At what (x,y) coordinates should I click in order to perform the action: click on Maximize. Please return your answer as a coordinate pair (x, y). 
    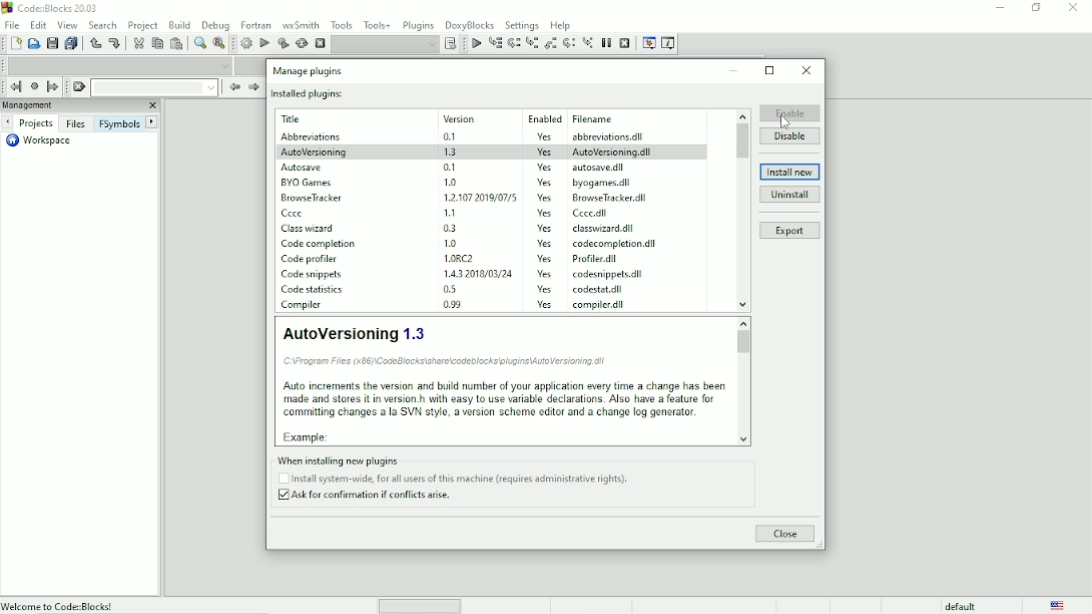
    Looking at the image, I should click on (771, 70).